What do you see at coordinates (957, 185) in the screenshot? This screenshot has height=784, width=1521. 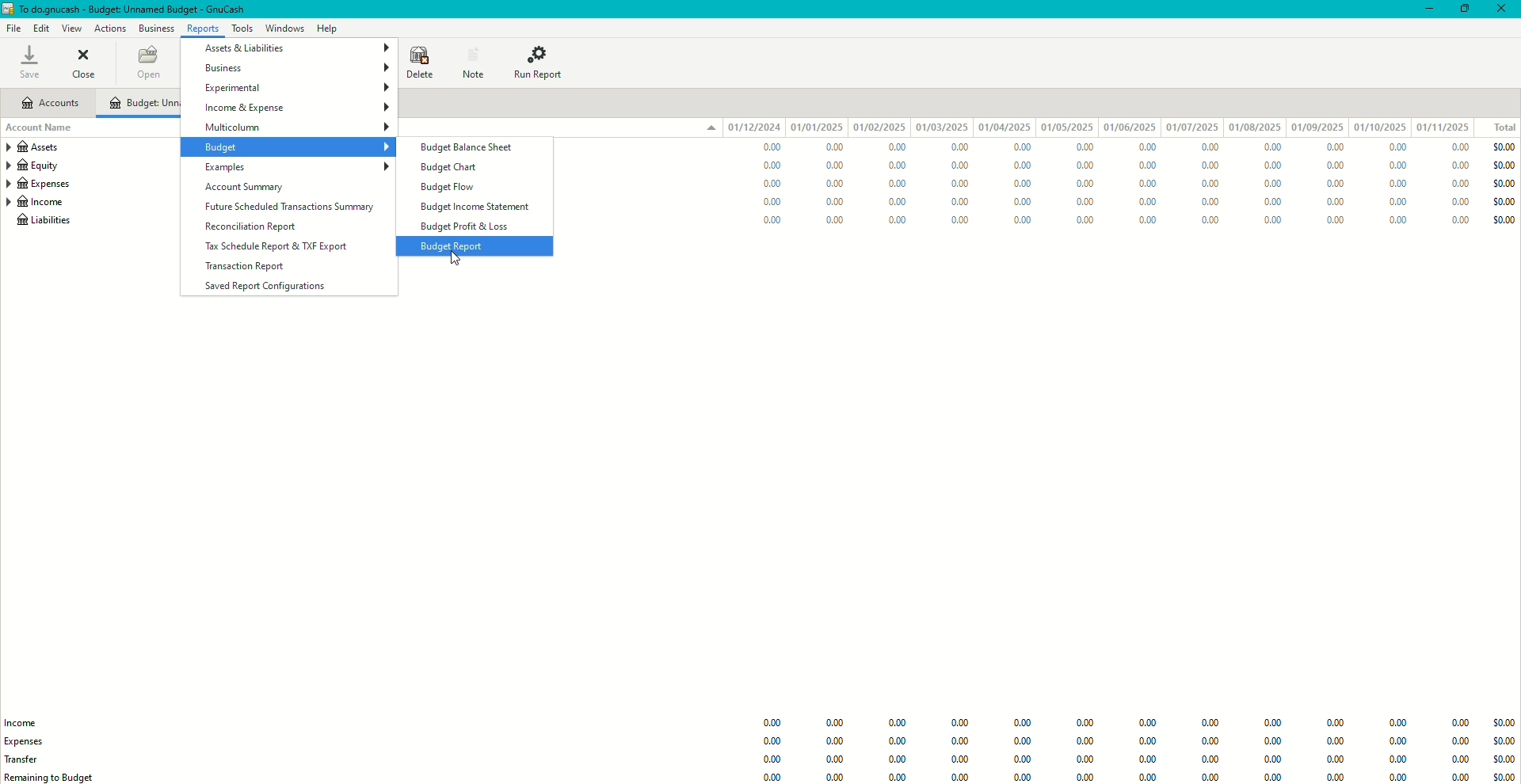 I see `0.00` at bounding box center [957, 185].